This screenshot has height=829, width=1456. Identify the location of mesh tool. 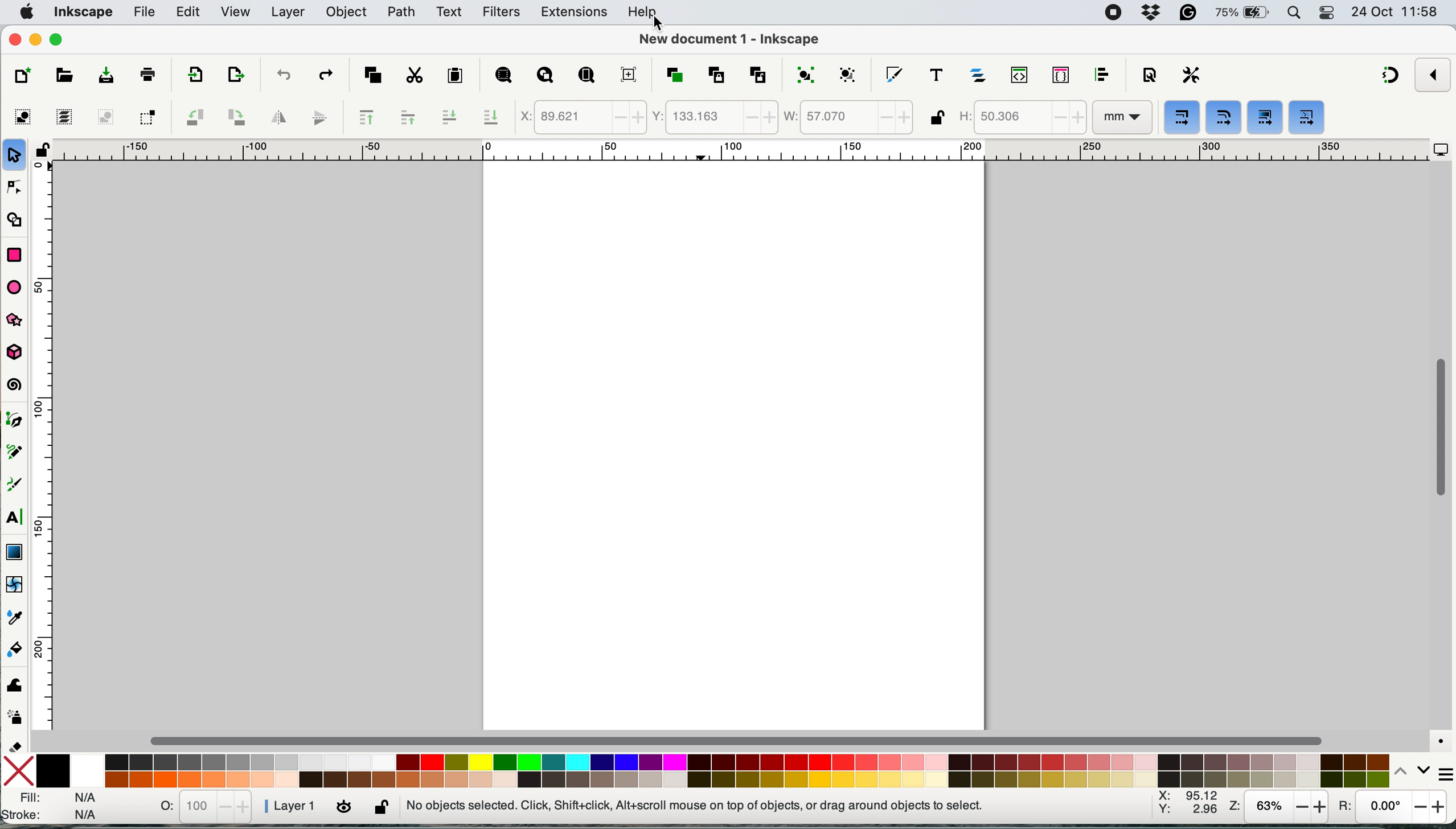
(15, 583).